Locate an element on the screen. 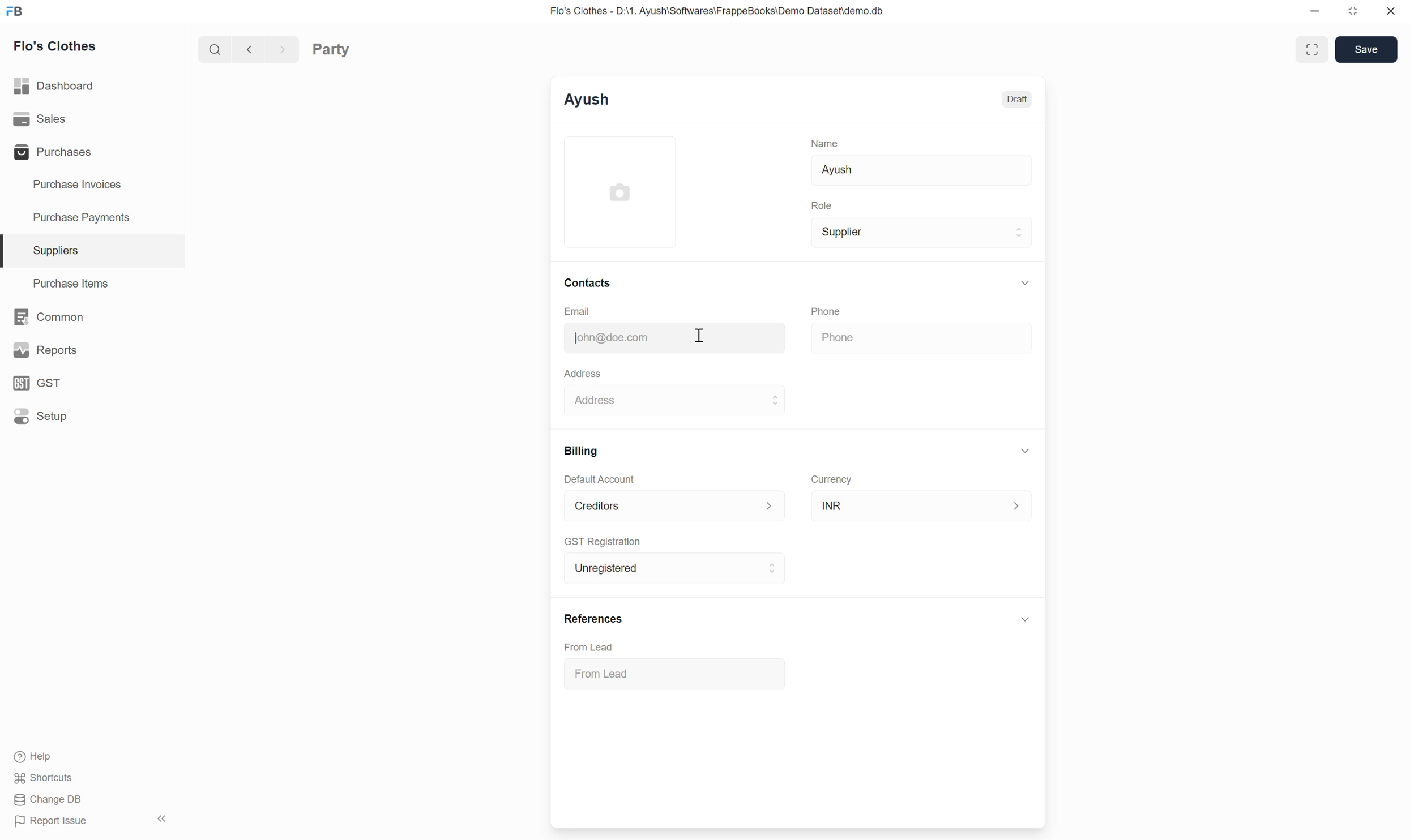  Email is located at coordinates (577, 311).